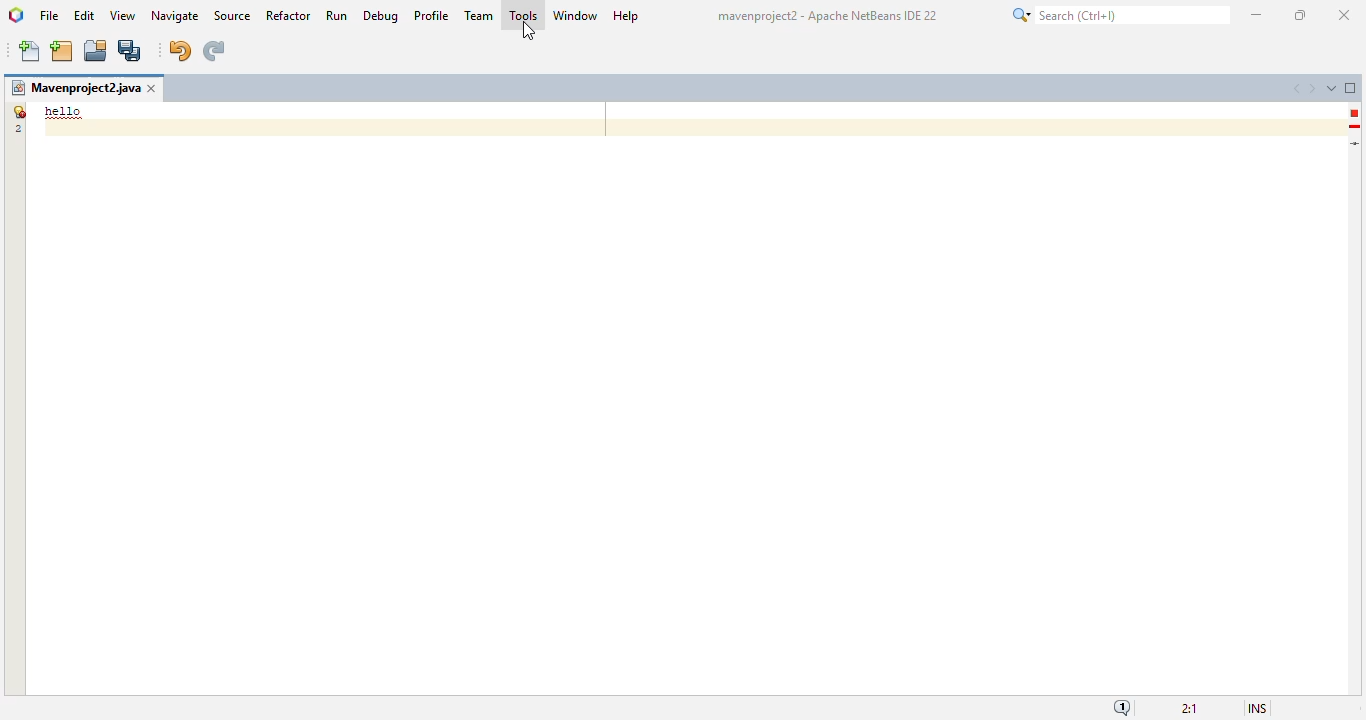  What do you see at coordinates (130, 51) in the screenshot?
I see `save all` at bounding box center [130, 51].